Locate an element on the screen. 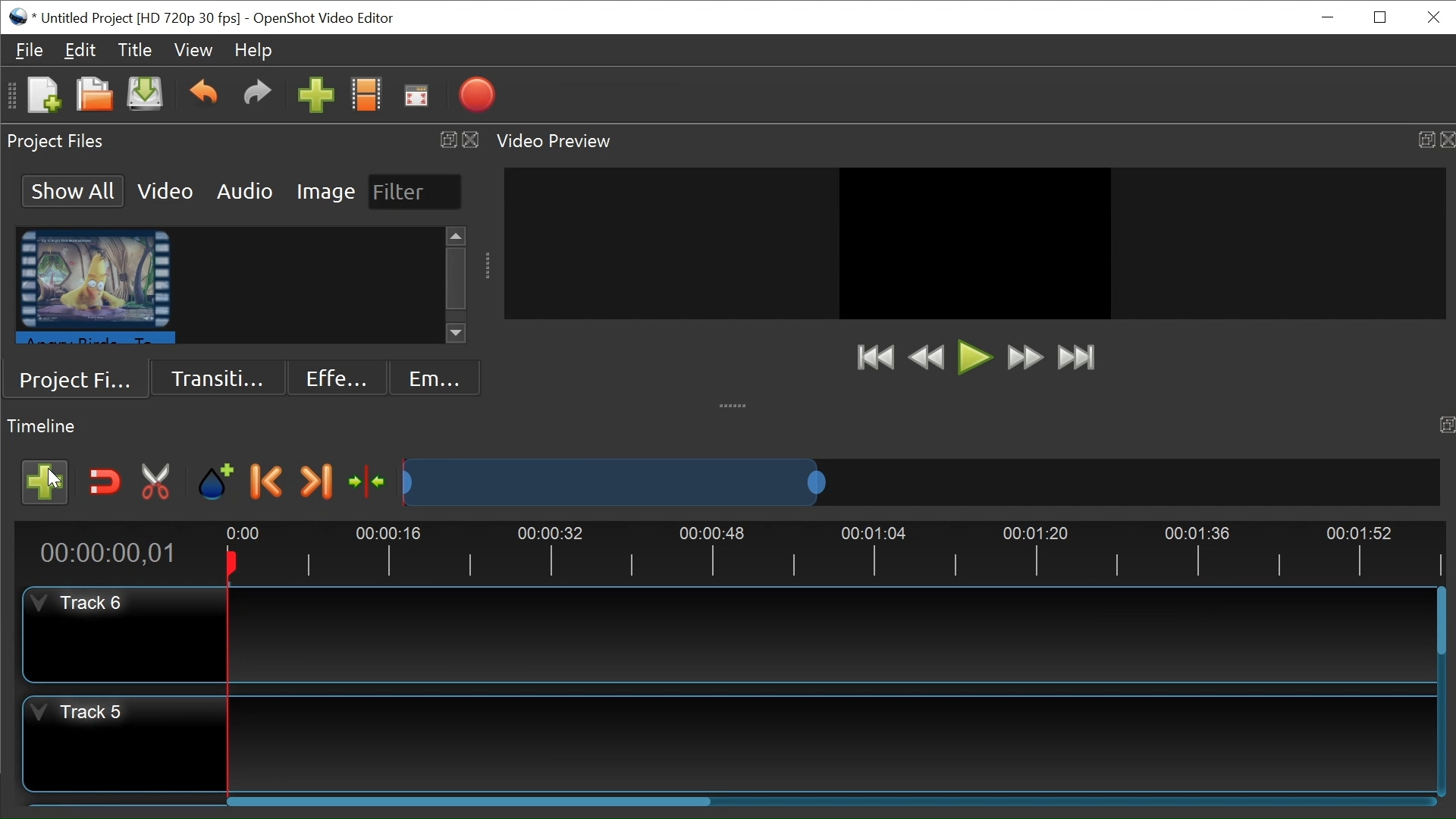 Image resolution: width=1456 pixels, height=819 pixels. Export Video is located at coordinates (479, 94).